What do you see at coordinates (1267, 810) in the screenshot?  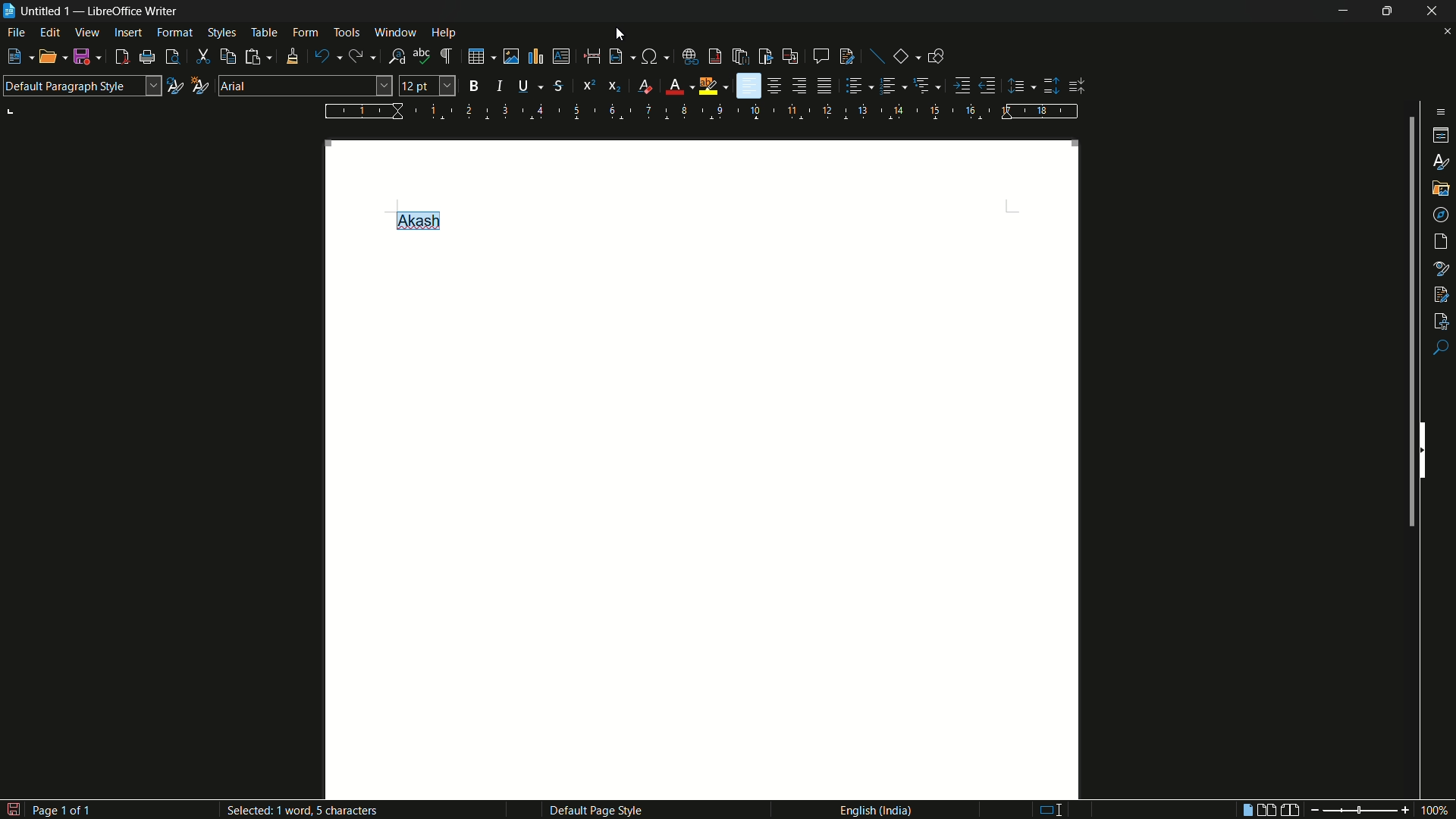 I see `multiple page` at bounding box center [1267, 810].